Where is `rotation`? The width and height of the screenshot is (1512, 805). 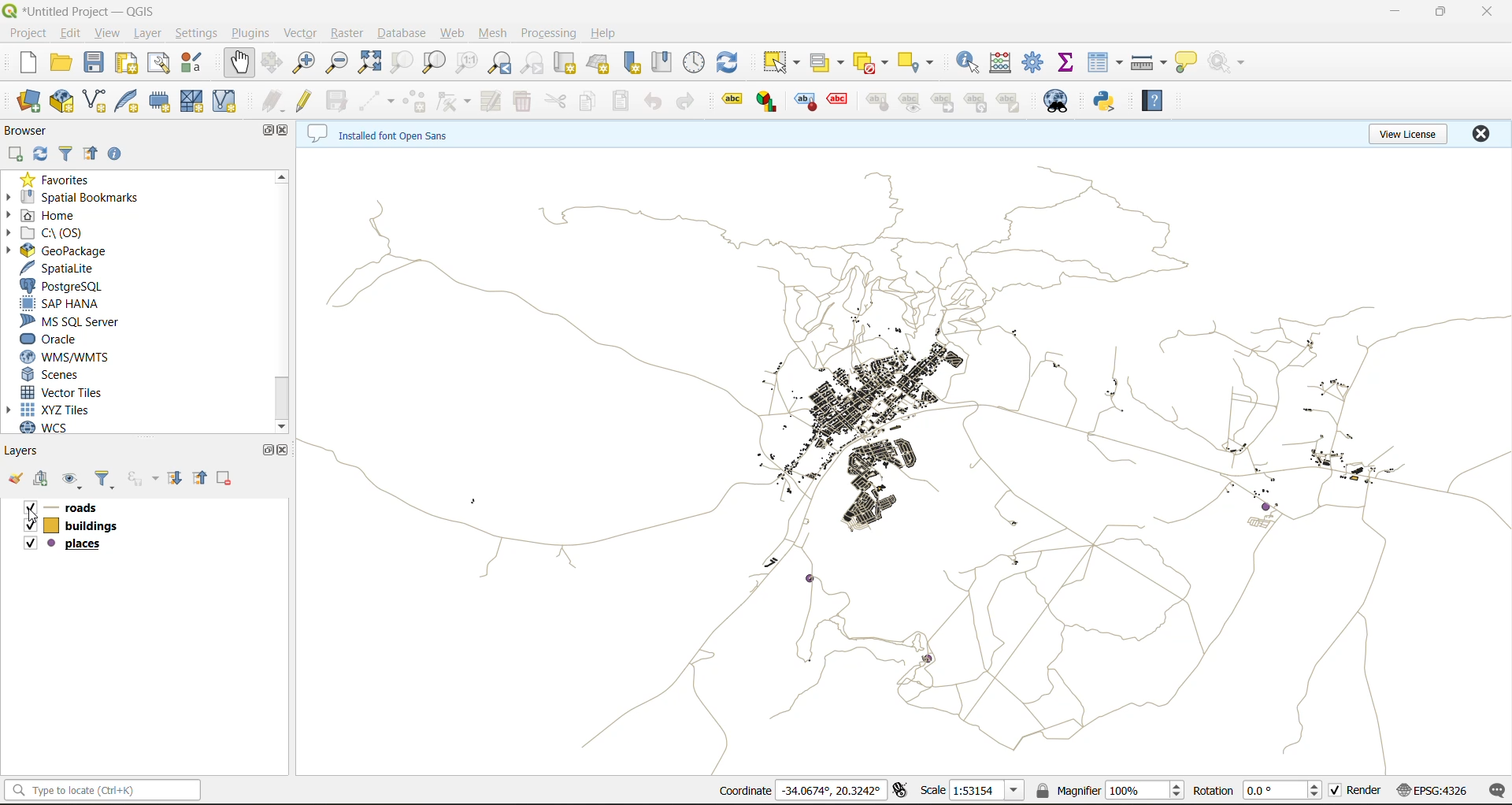 rotation is located at coordinates (1259, 793).